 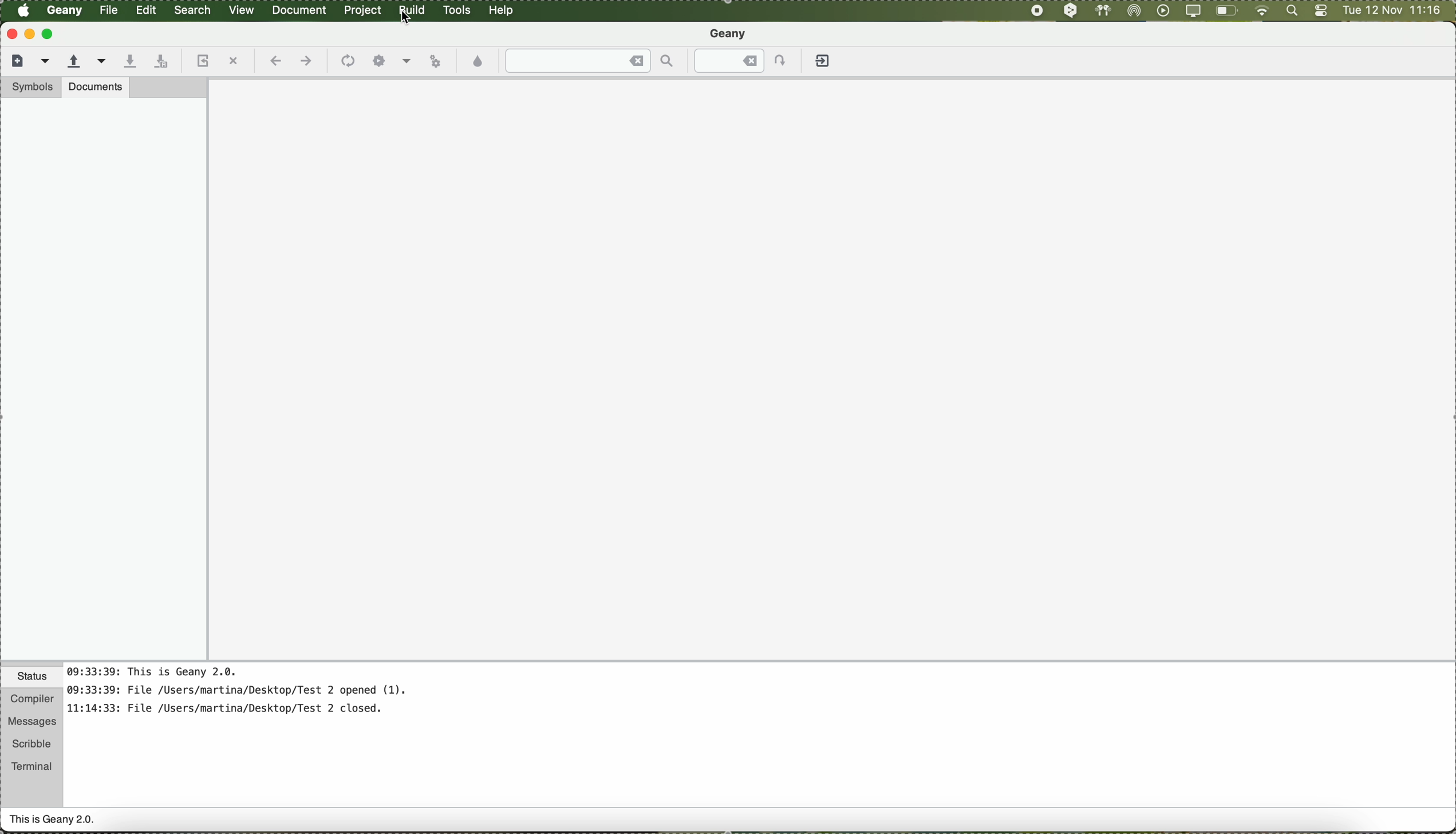 What do you see at coordinates (407, 62) in the screenshot?
I see `icon` at bounding box center [407, 62].